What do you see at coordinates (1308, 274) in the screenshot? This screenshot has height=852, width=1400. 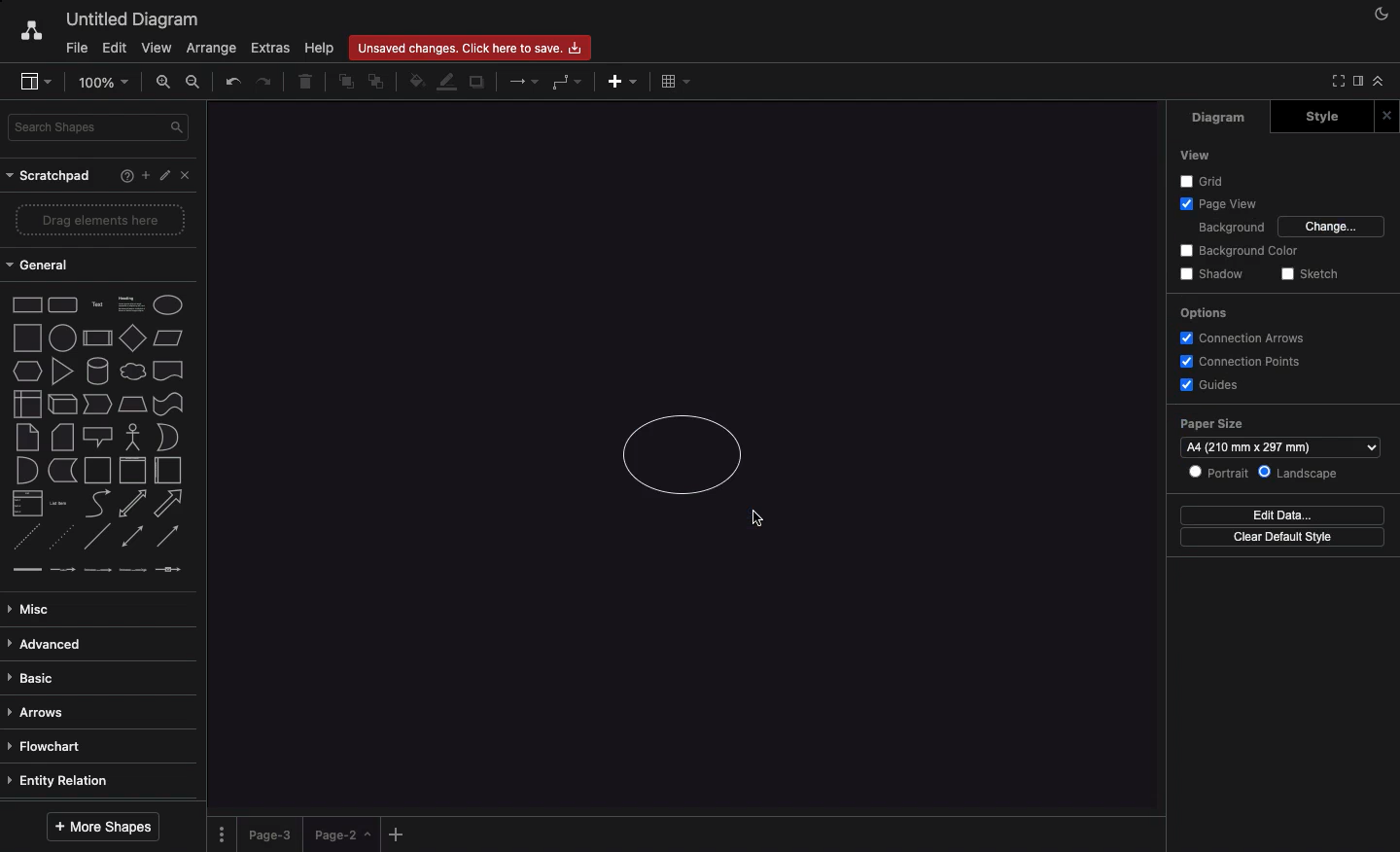 I see `Sketch` at bounding box center [1308, 274].